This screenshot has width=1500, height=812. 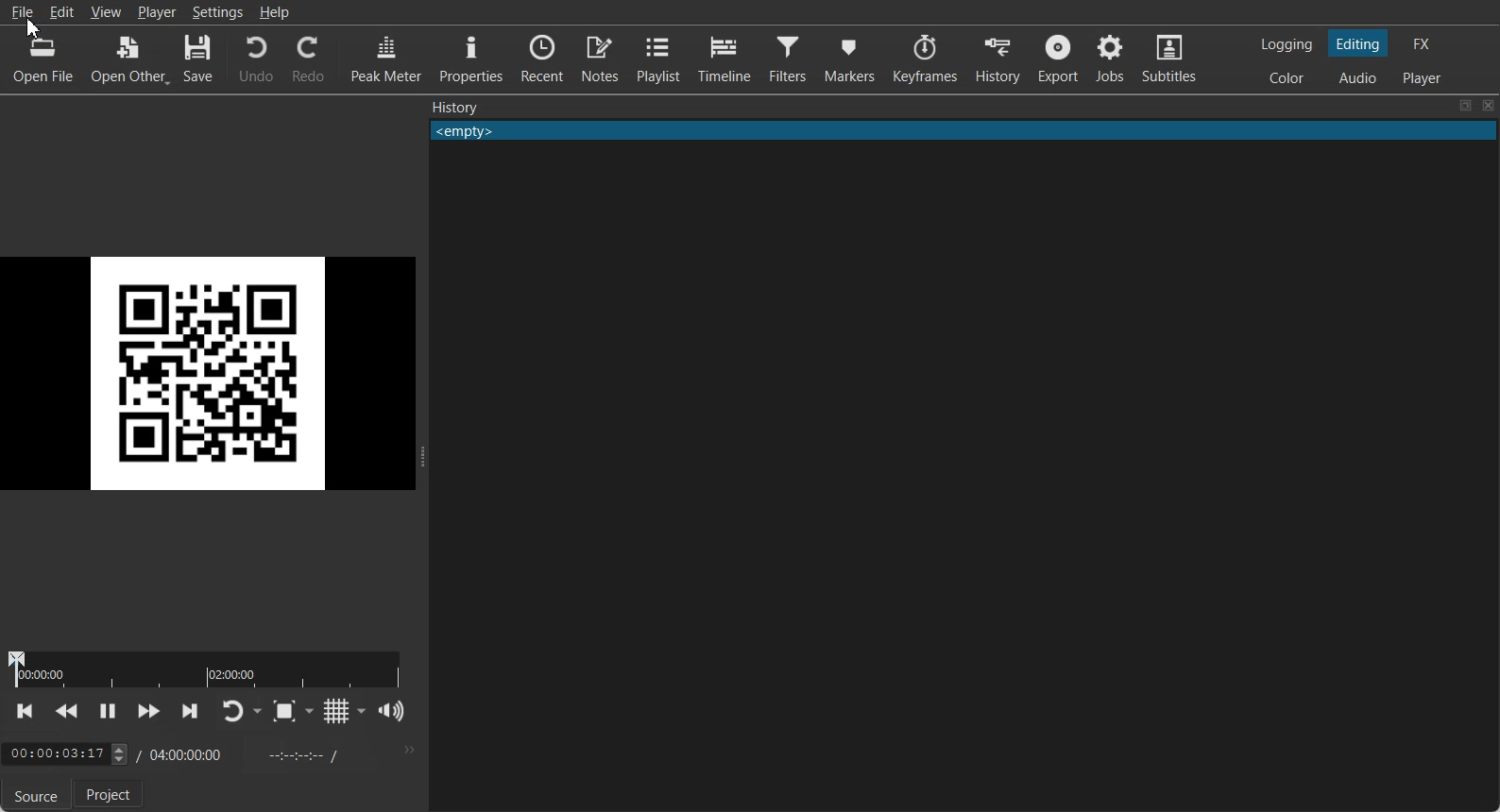 What do you see at coordinates (22, 13) in the screenshot?
I see `File` at bounding box center [22, 13].